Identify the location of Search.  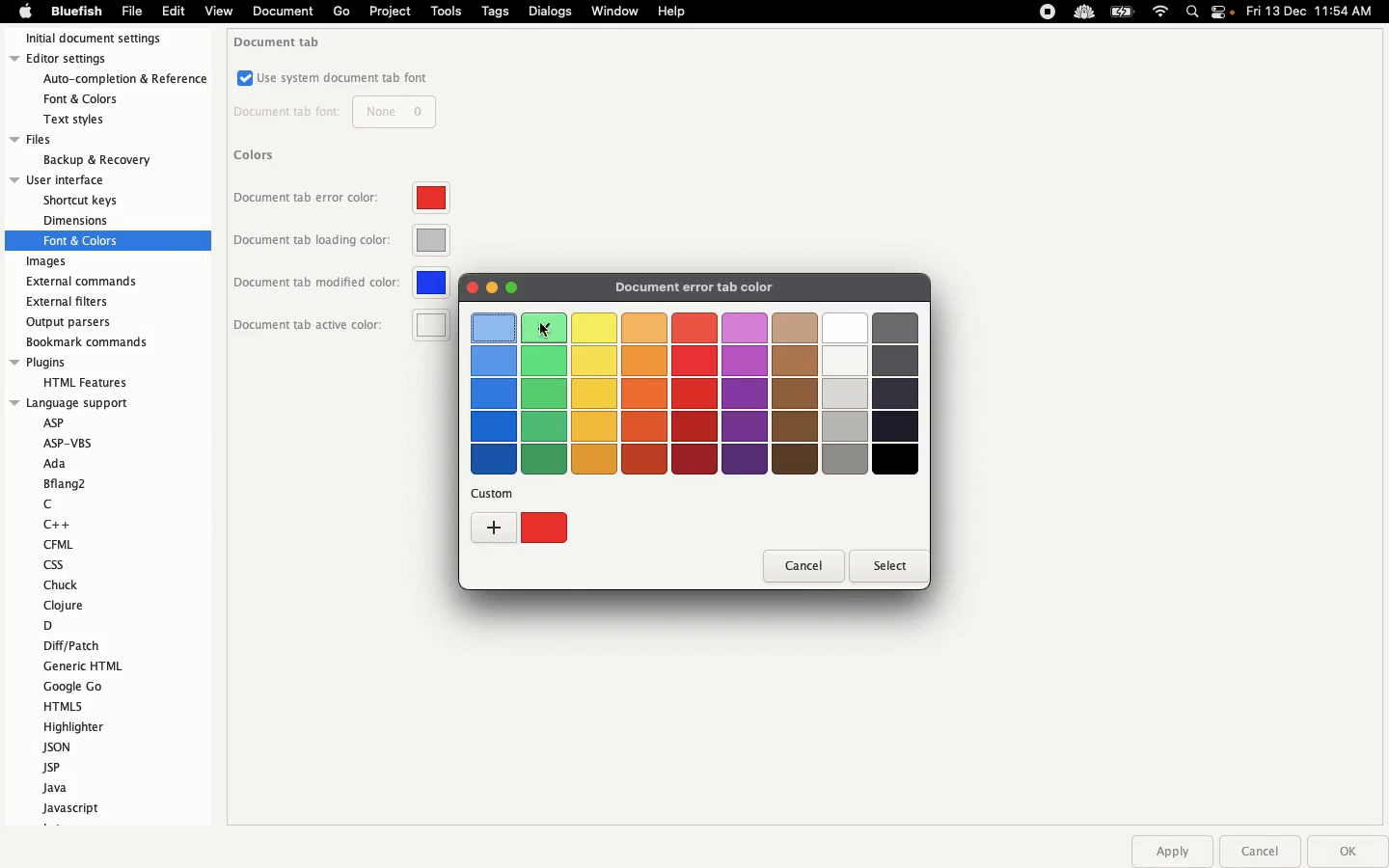
(1193, 14).